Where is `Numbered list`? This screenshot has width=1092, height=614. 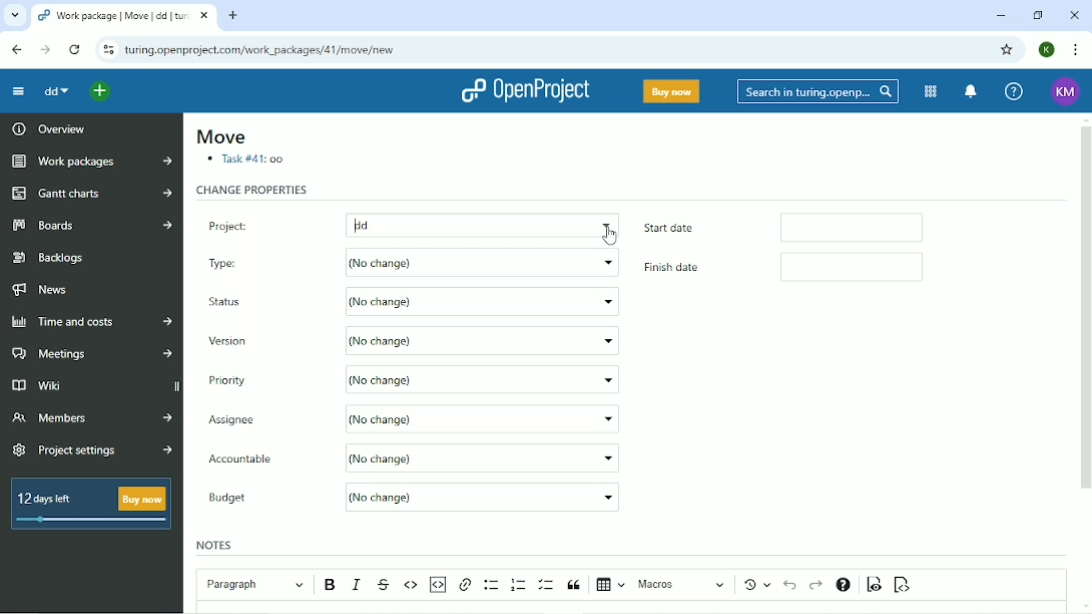
Numbered list is located at coordinates (519, 584).